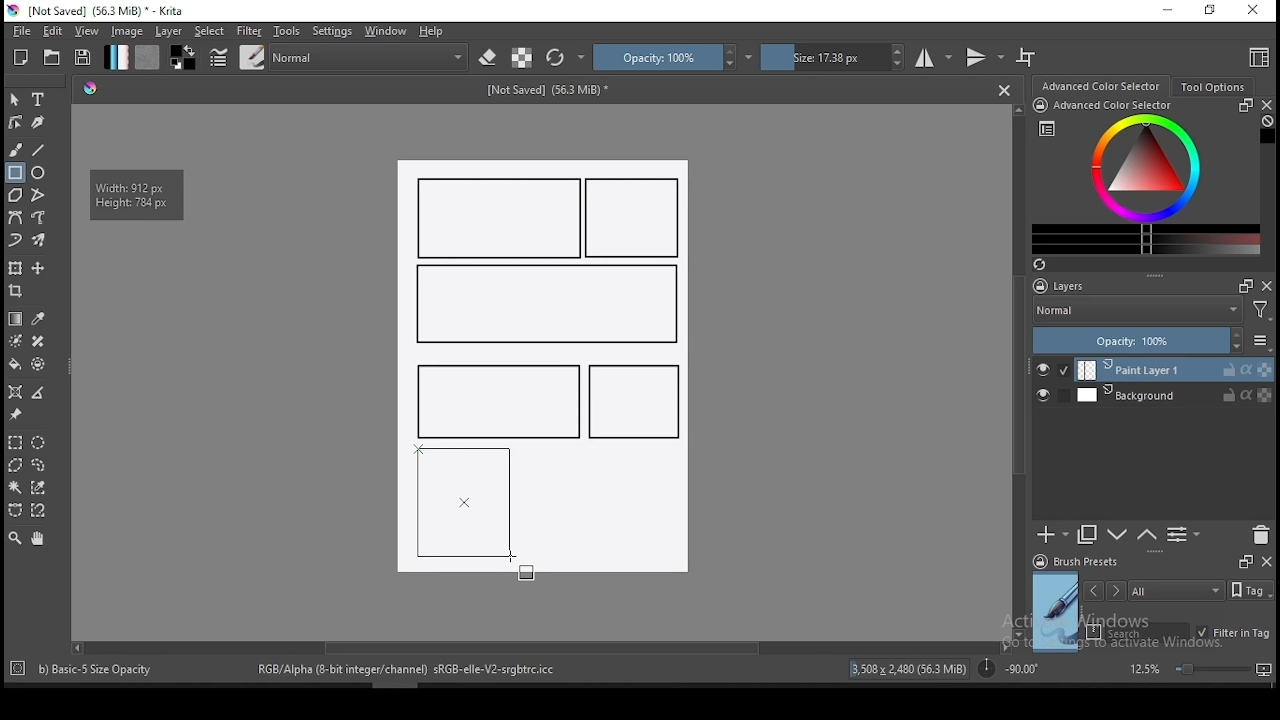 The image size is (1280, 720). I want to click on filter, so click(248, 31).